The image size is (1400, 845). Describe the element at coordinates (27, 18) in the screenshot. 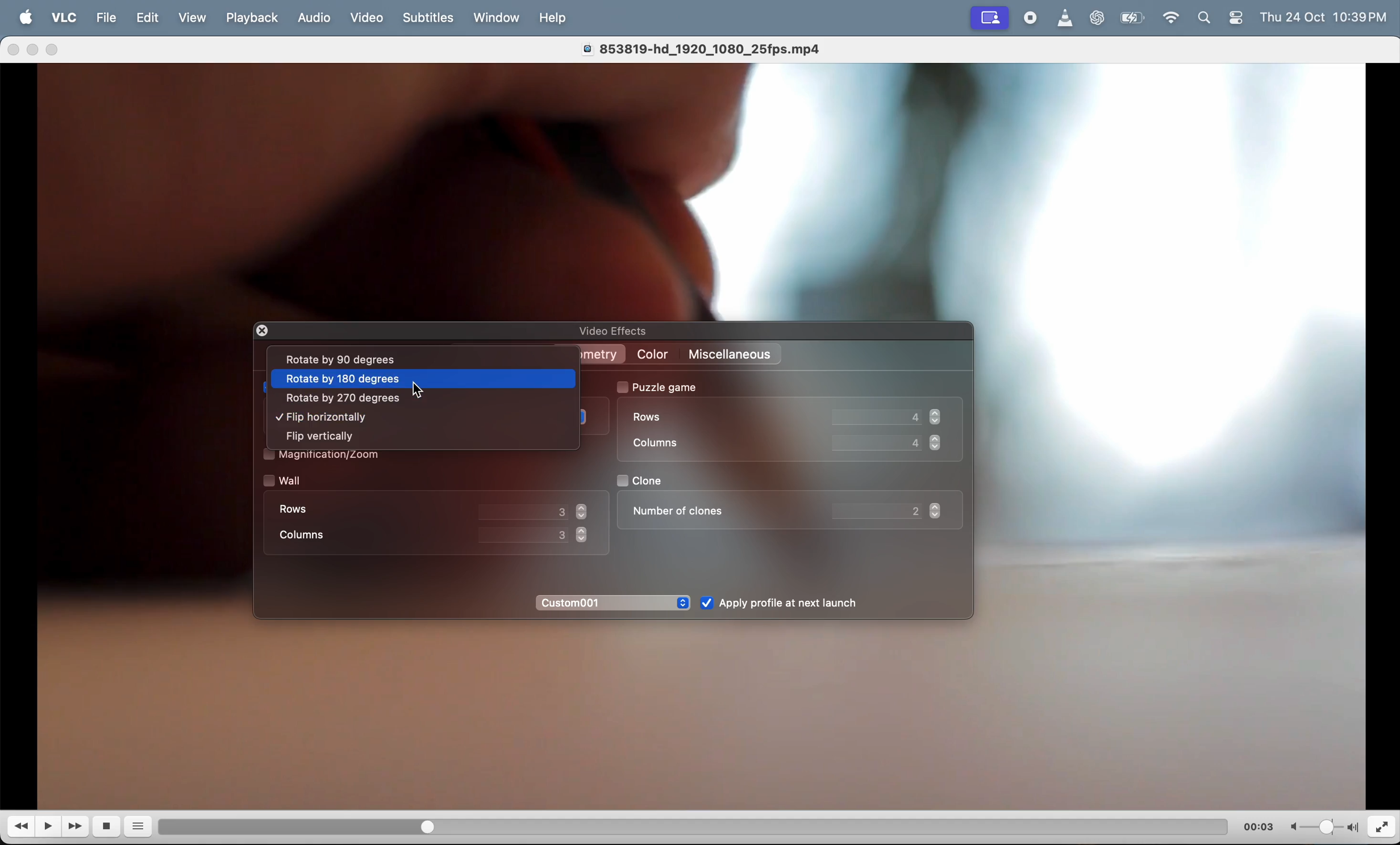

I see `Apple menu` at that location.